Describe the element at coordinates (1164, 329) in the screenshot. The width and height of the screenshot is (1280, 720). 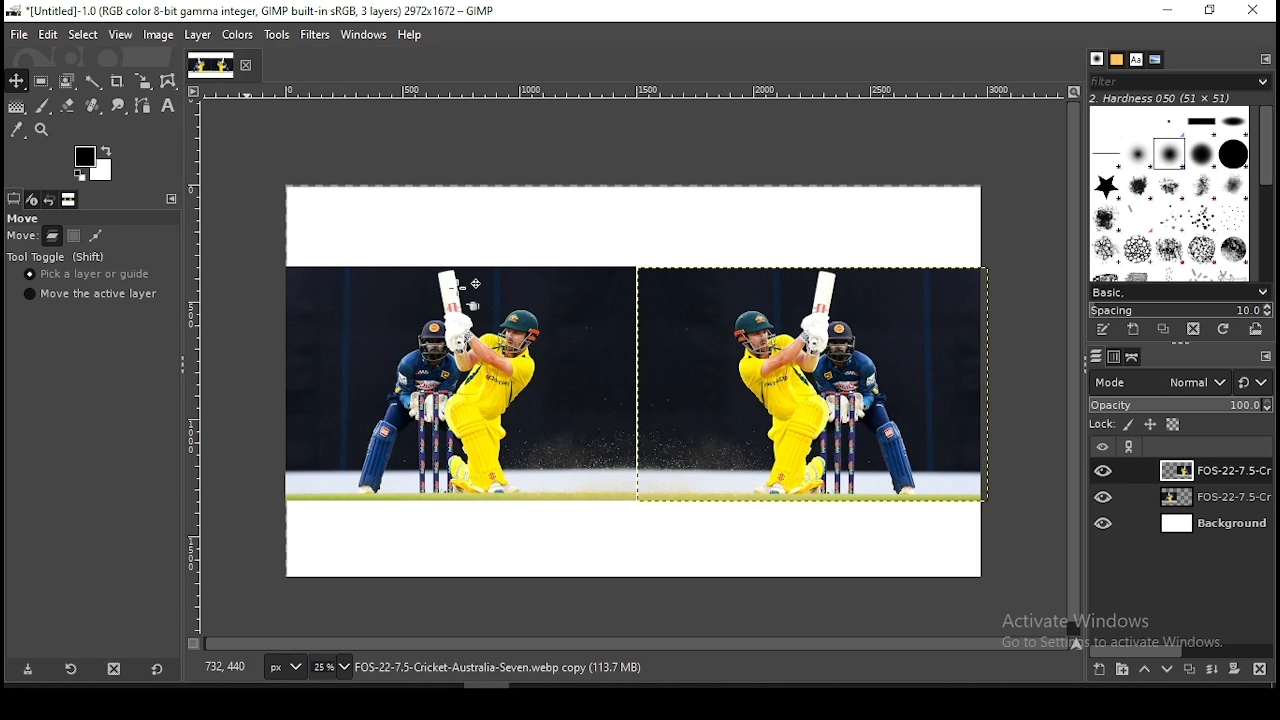
I see `duplicate brush` at that location.